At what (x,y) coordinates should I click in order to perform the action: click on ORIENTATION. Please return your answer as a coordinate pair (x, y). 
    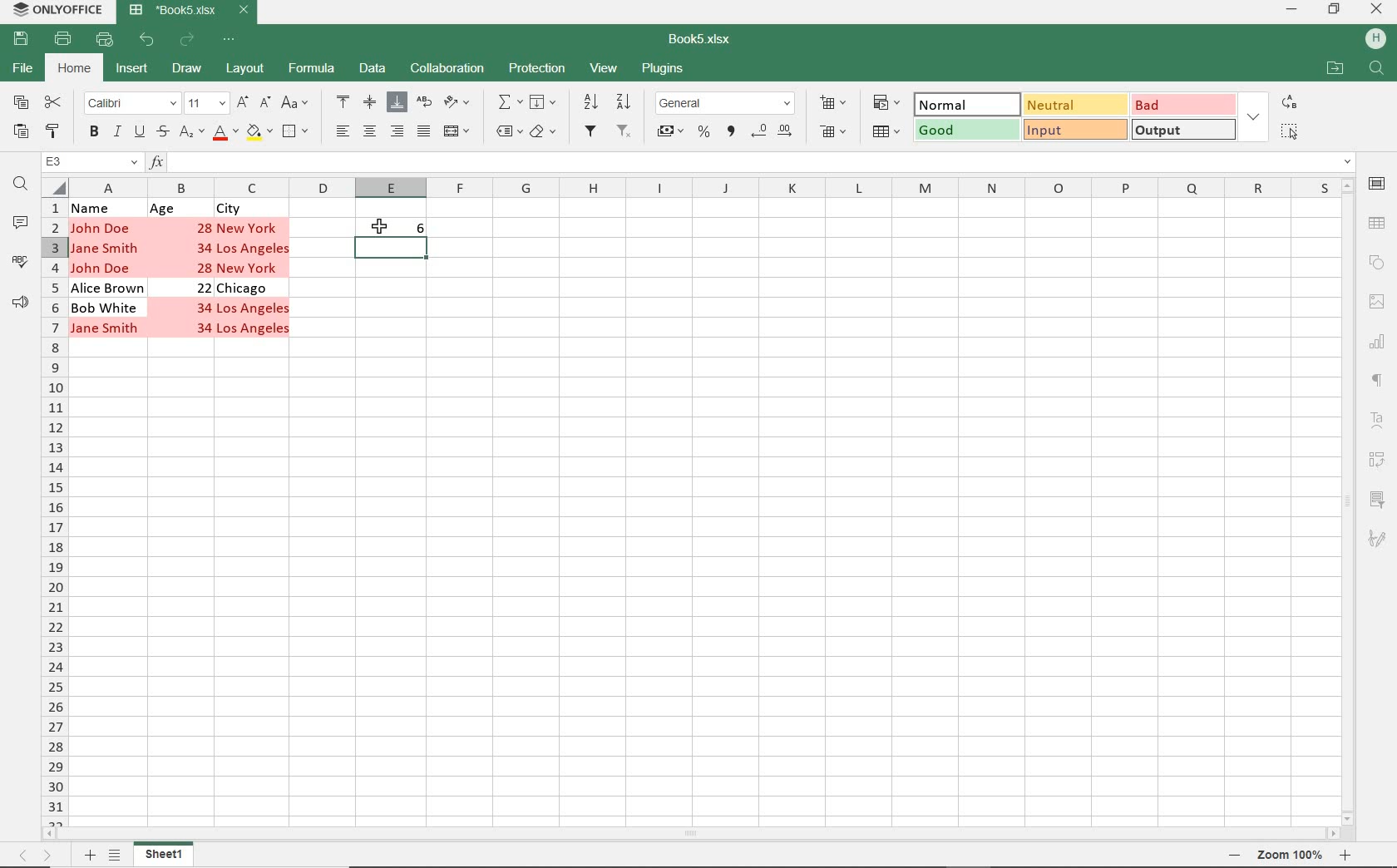
    Looking at the image, I should click on (462, 104).